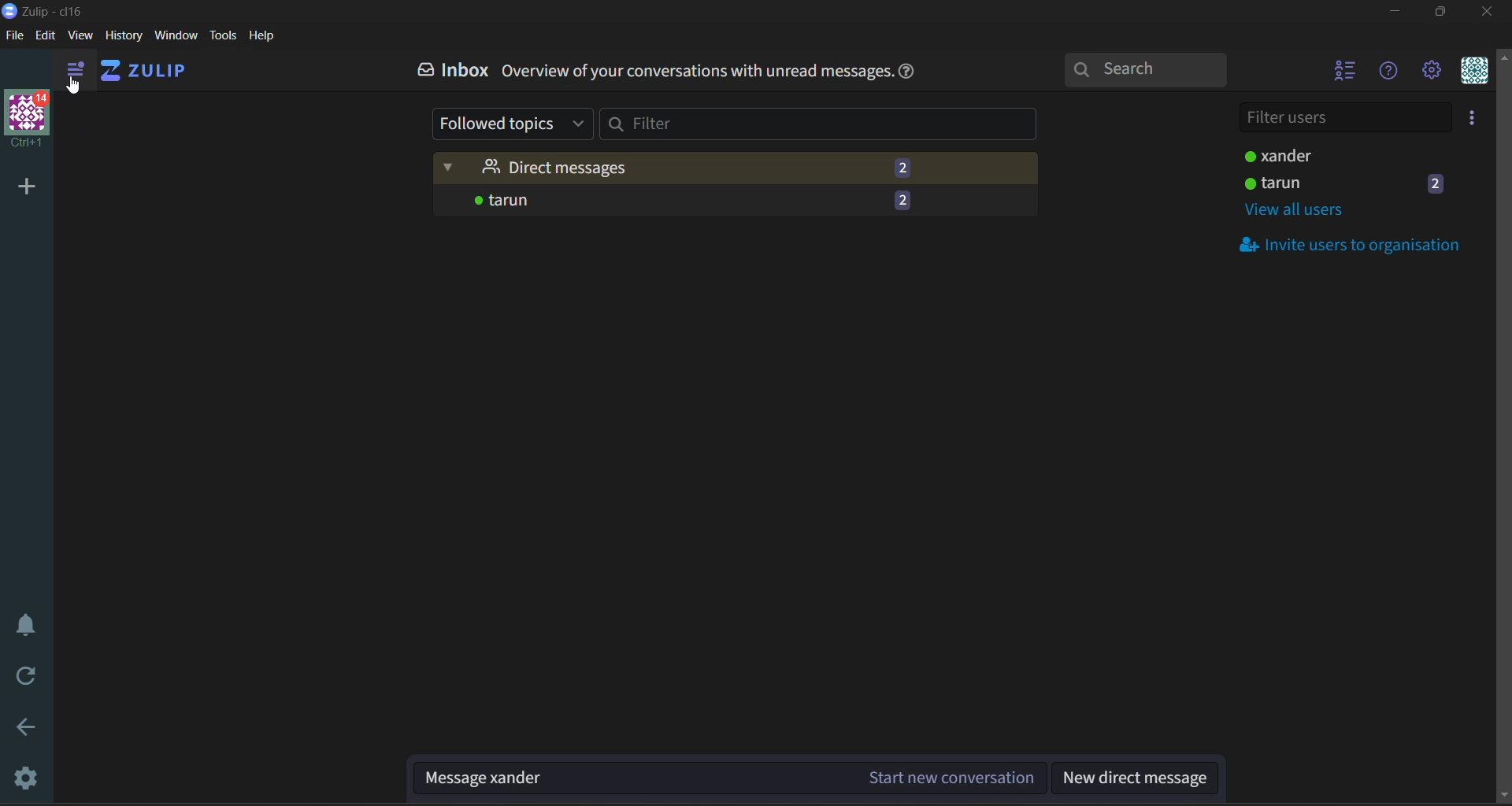 Image resolution: width=1512 pixels, height=806 pixels. I want to click on enable do not disturb, so click(27, 627).